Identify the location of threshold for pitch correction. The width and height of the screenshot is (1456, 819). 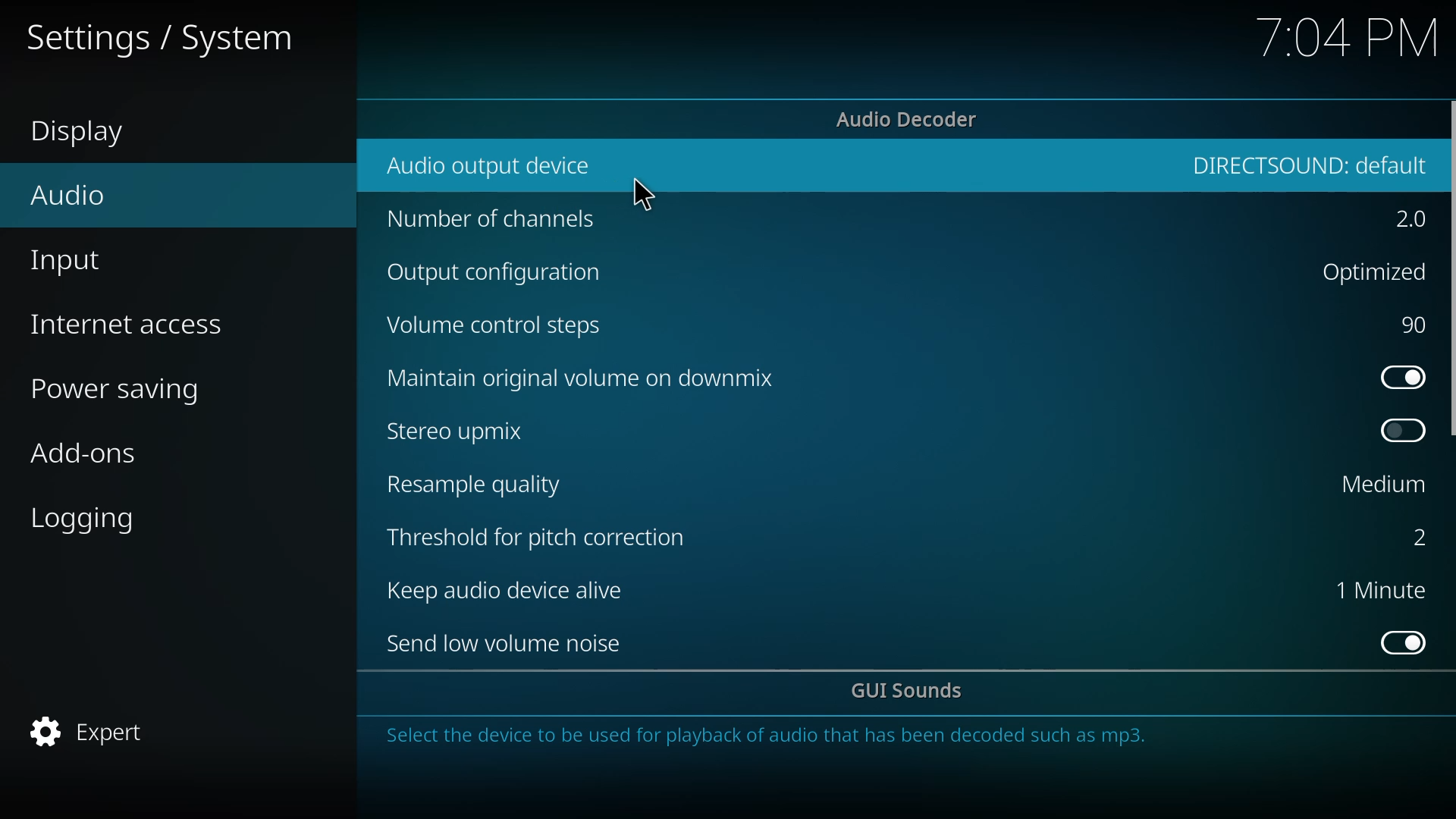
(543, 536).